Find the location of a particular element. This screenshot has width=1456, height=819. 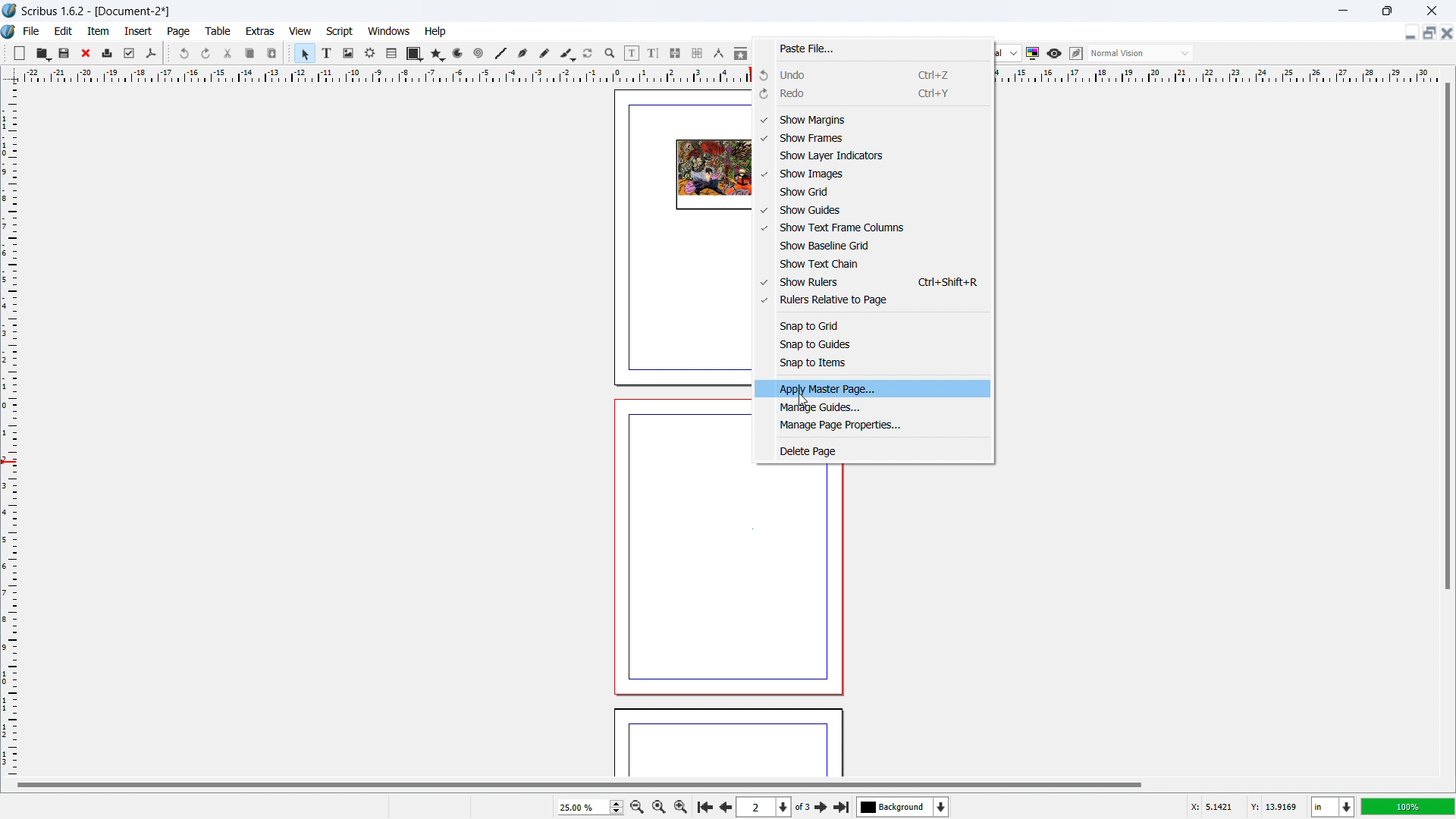

snap to guides is located at coordinates (873, 345).